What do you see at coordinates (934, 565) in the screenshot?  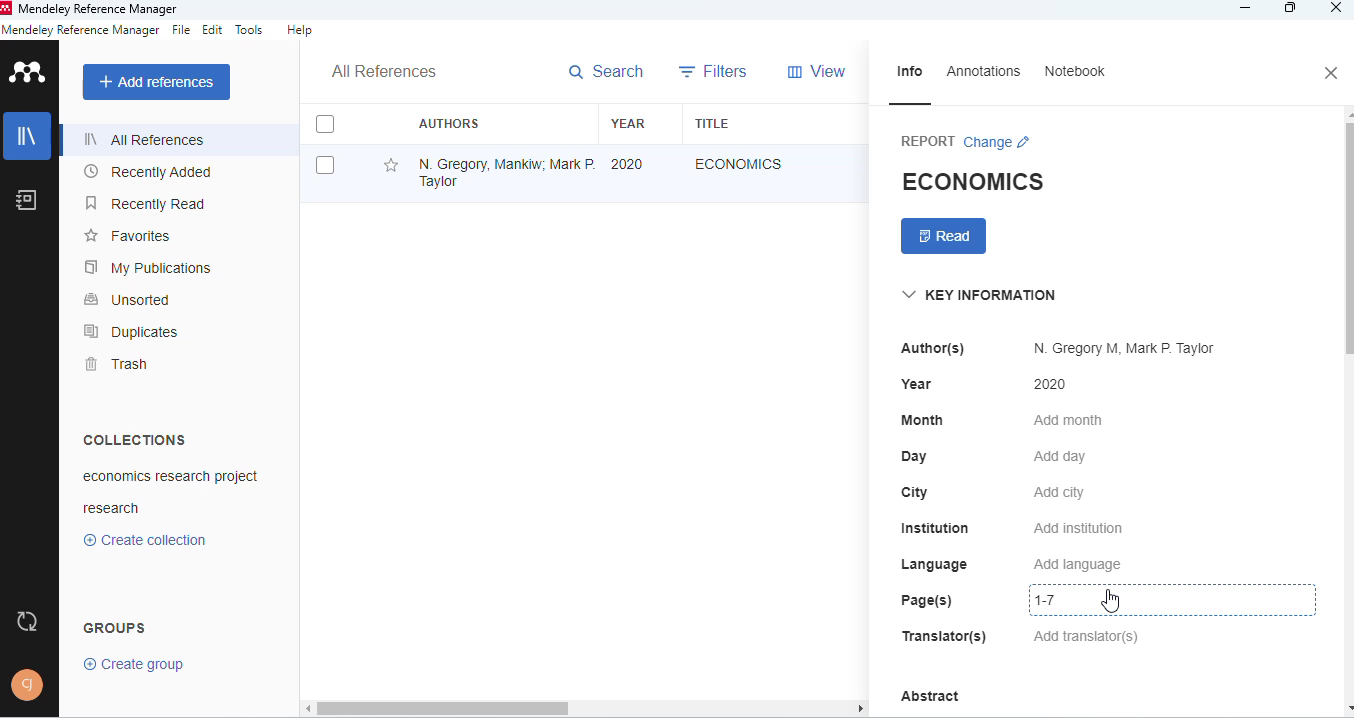 I see `` at bounding box center [934, 565].